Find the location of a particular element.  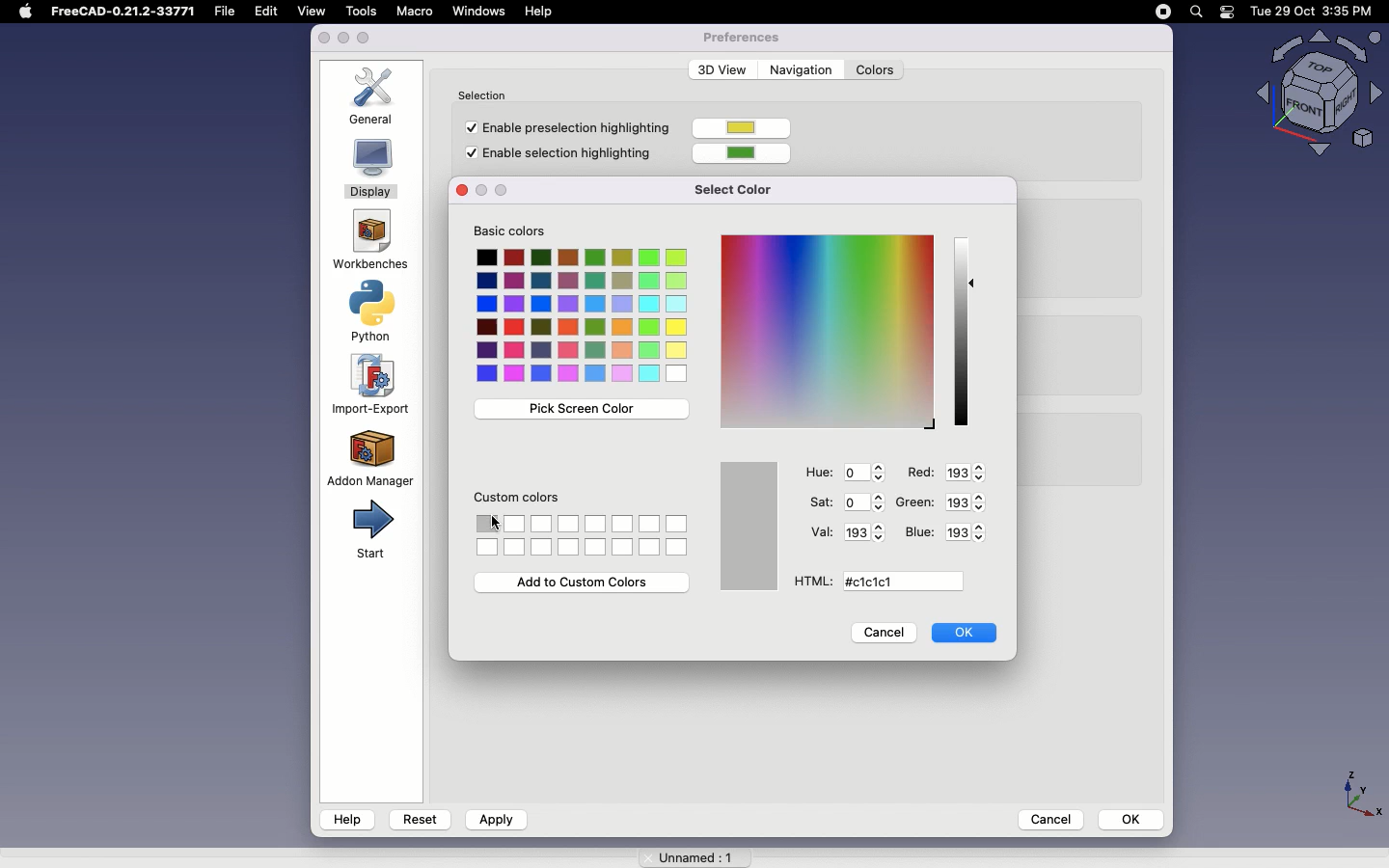

OK is located at coordinates (1132, 819).